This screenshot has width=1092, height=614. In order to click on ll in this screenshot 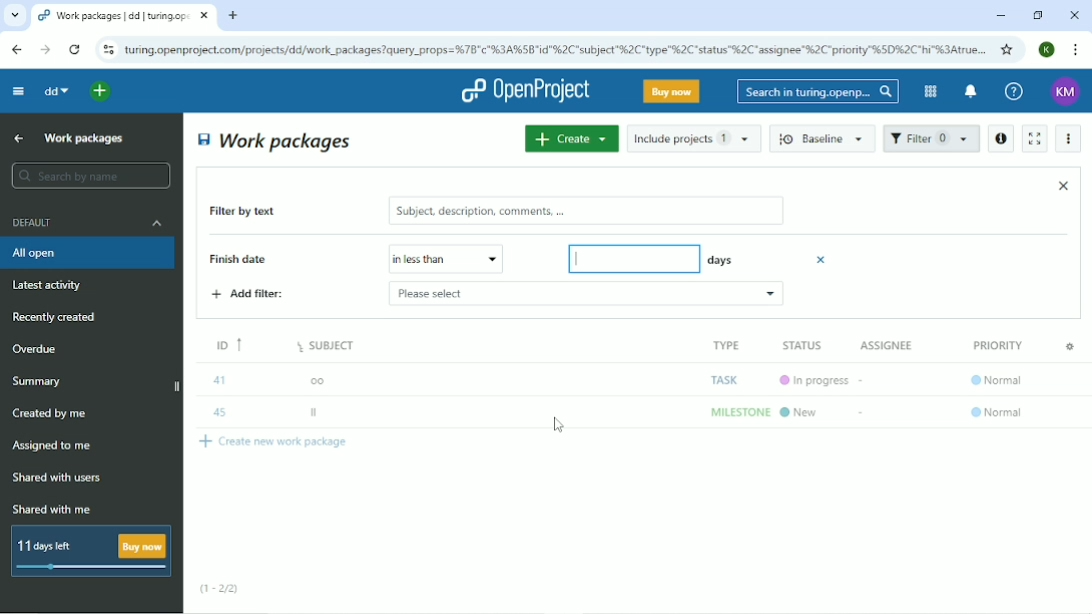, I will do `click(322, 413)`.